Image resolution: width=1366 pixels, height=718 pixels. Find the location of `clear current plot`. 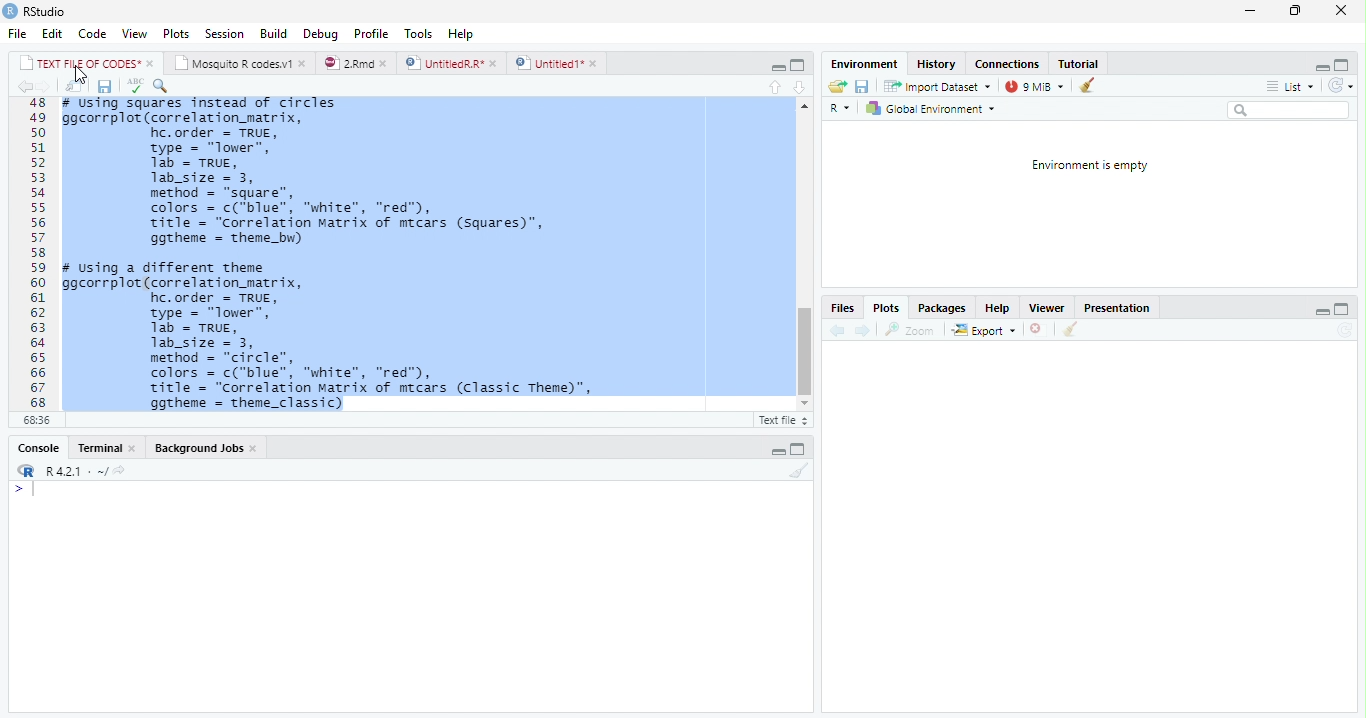

clear current plot is located at coordinates (1034, 330).